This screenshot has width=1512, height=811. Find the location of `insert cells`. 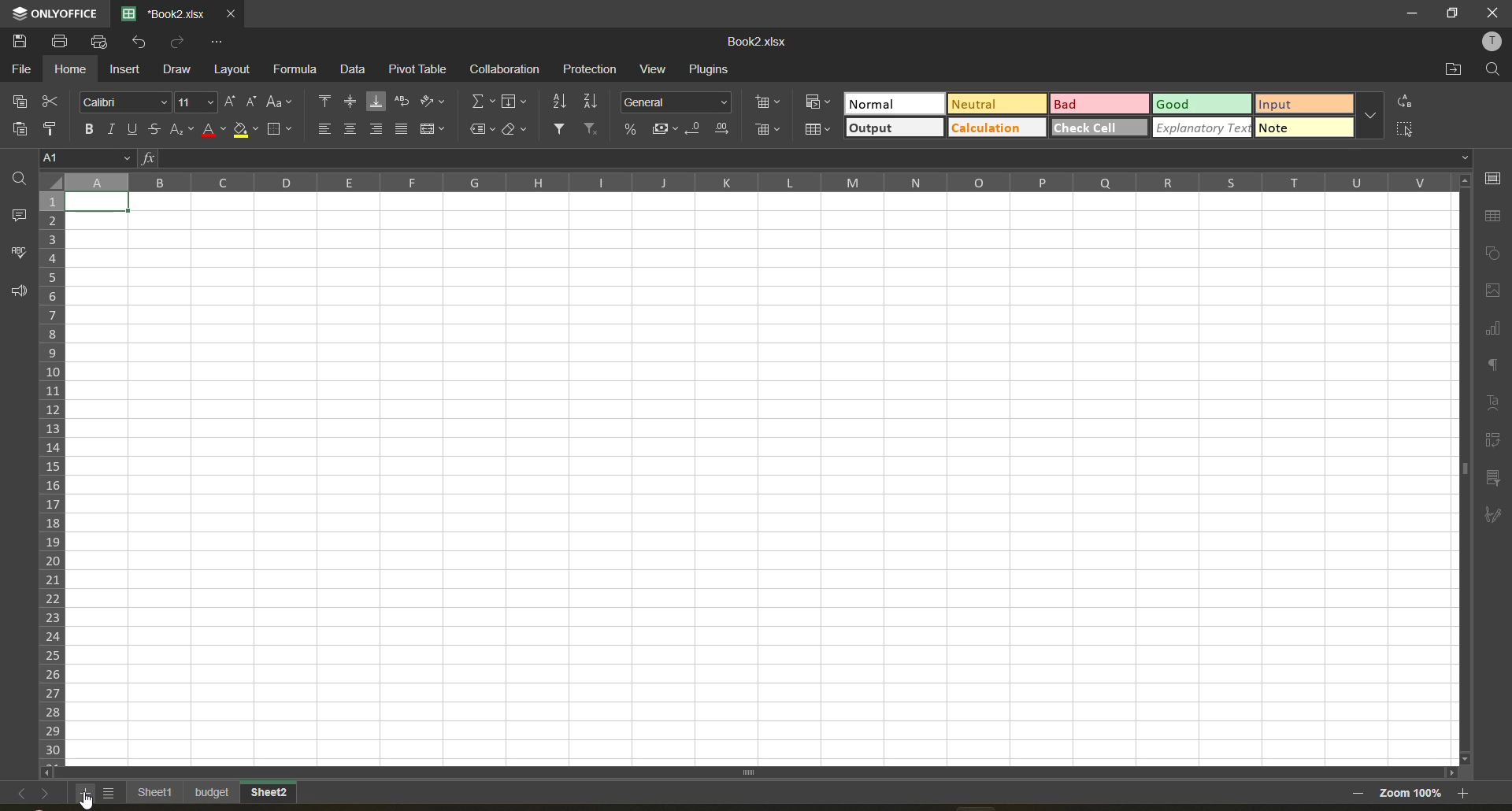

insert cells is located at coordinates (769, 102).